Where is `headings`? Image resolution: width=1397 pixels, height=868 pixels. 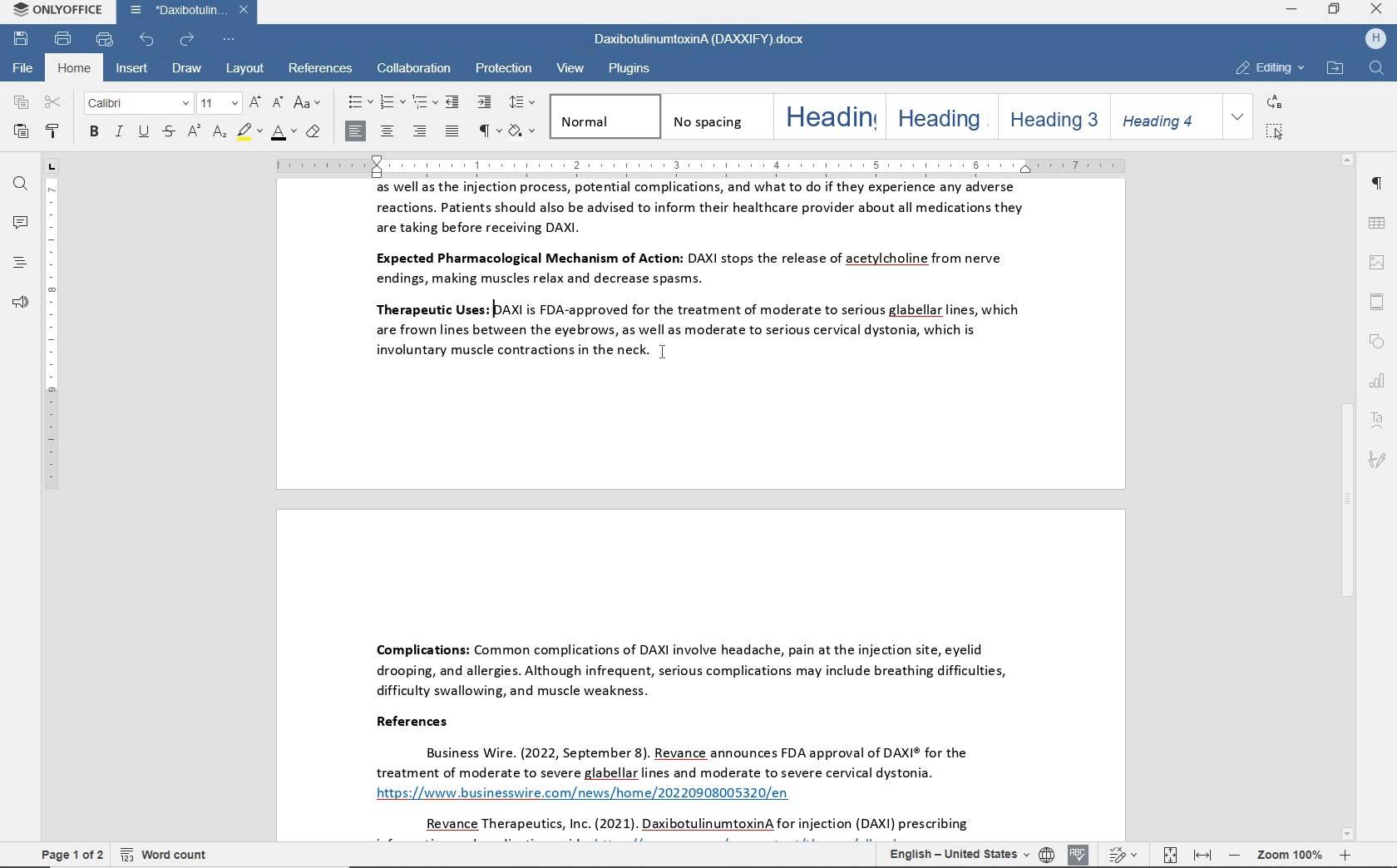 headings is located at coordinates (17, 264).